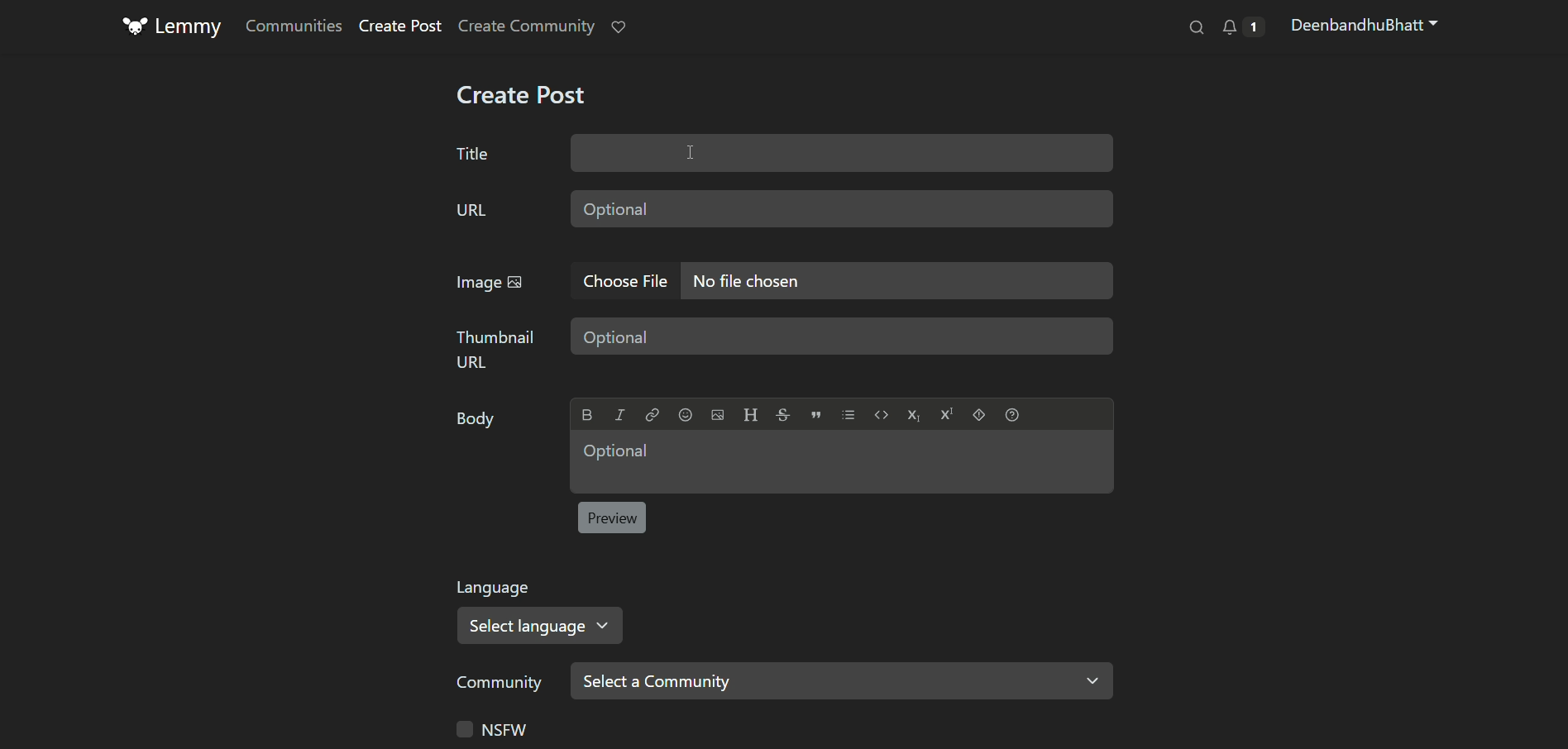  What do you see at coordinates (472, 154) in the screenshot?
I see `title` at bounding box center [472, 154].